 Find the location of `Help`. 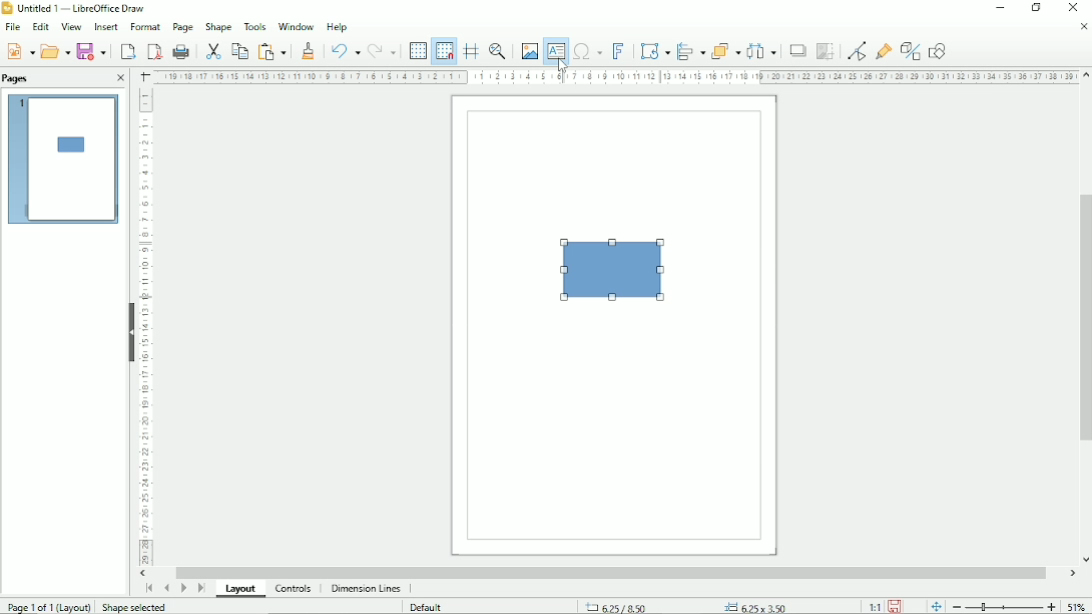

Help is located at coordinates (336, 27).